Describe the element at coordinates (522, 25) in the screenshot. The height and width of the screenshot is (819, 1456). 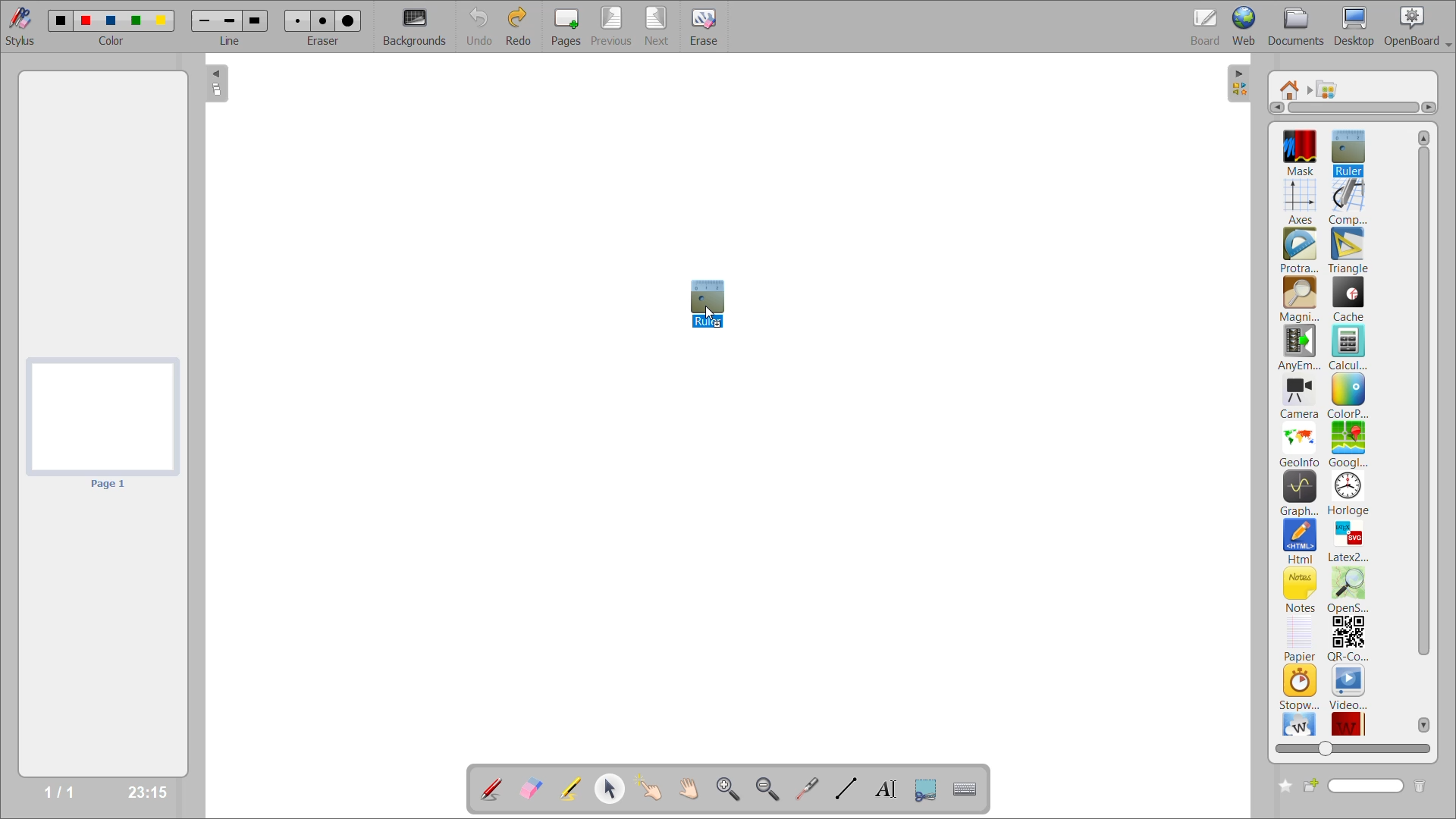
I see `redo` at that location.